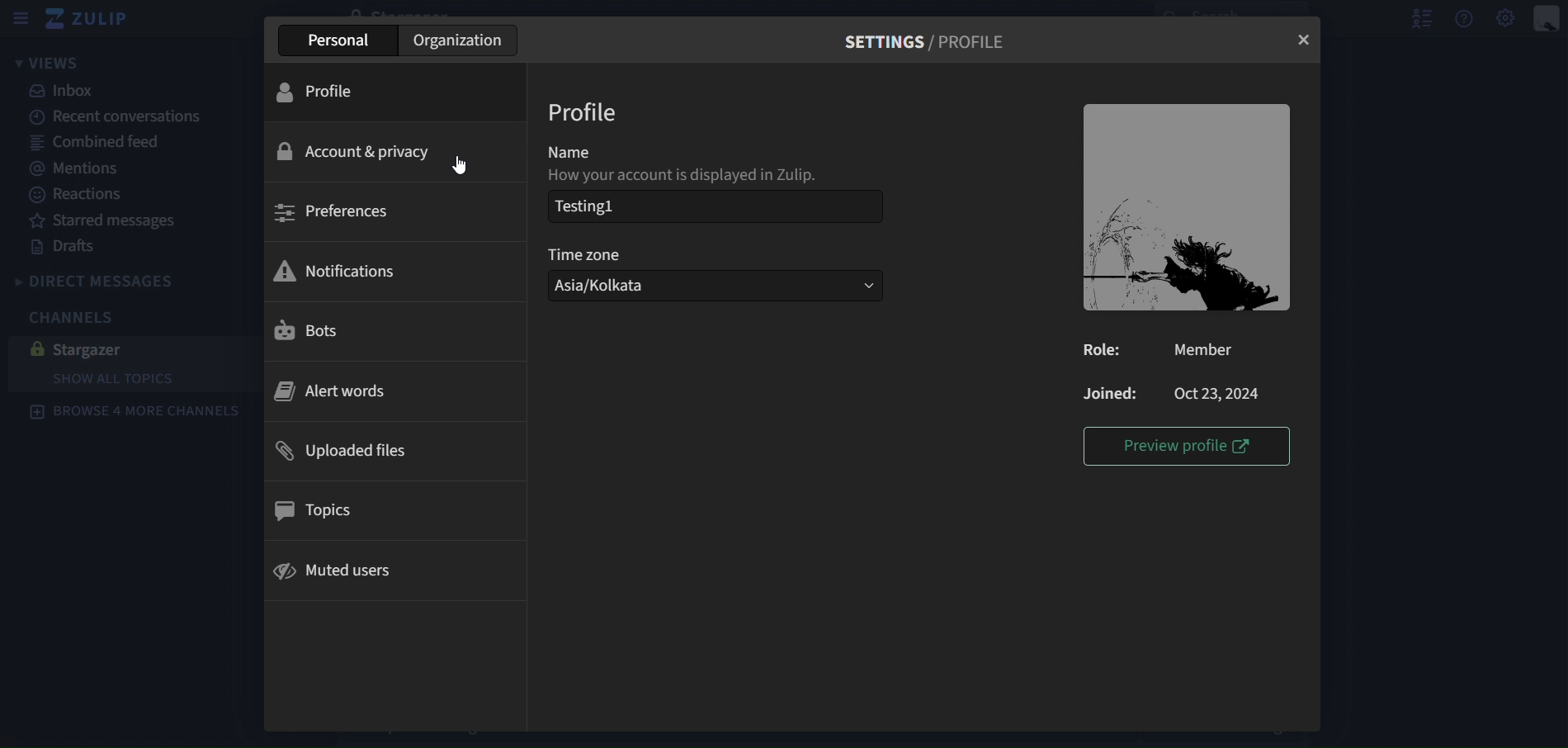  I want to click on direct messages, so click(97, 282).